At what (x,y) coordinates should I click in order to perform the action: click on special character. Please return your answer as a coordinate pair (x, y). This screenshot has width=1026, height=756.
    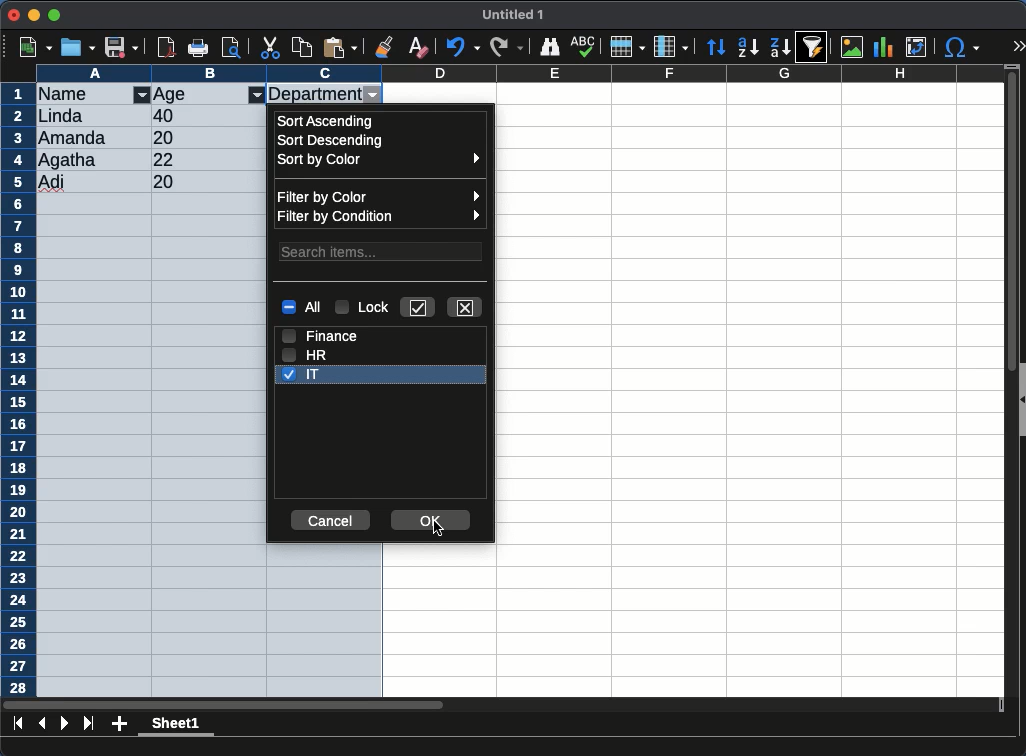
    Looking at the image, I should click on (961, 47).